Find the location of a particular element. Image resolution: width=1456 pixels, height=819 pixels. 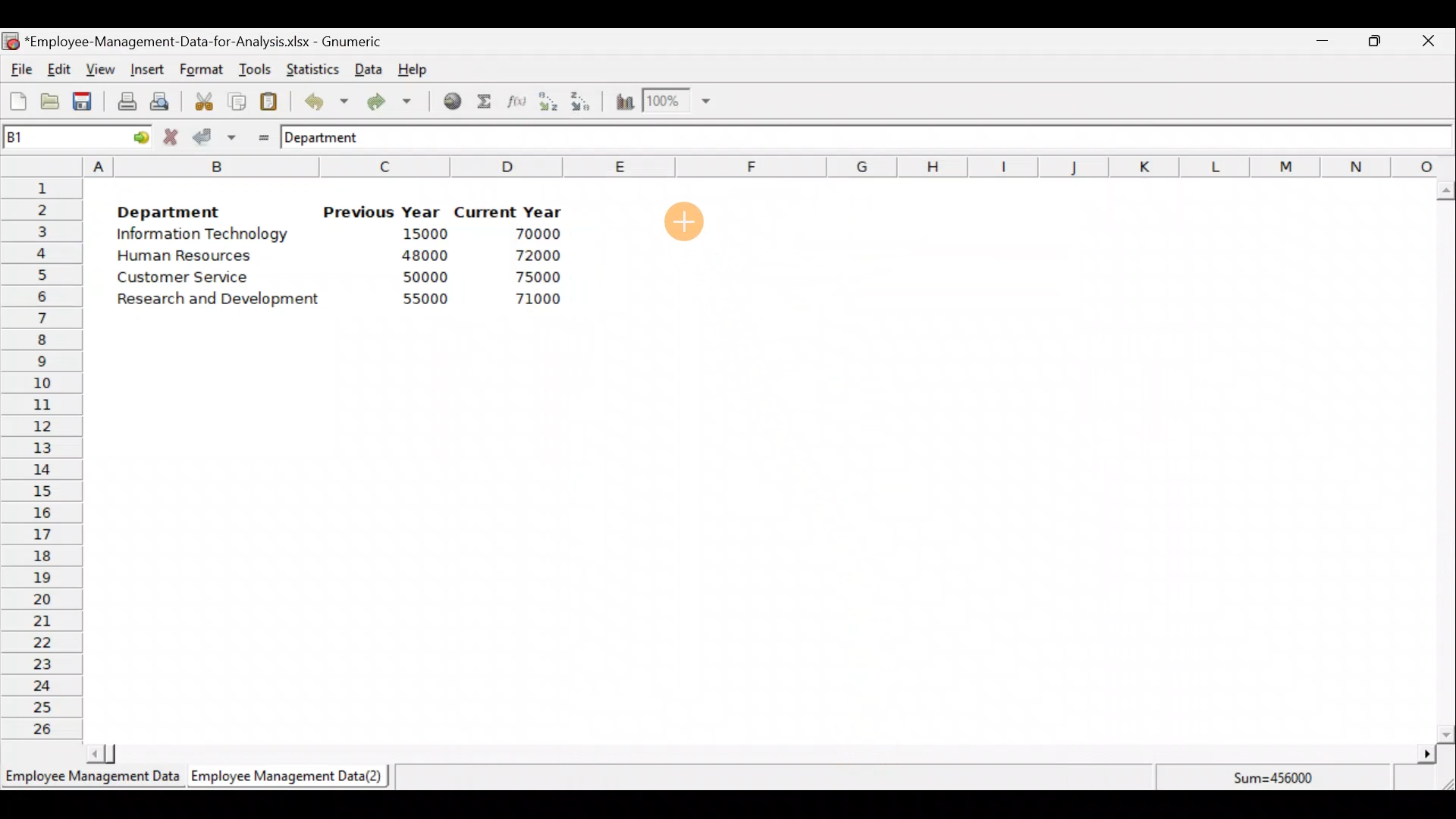

55000 is located at coordinates (426, 299).